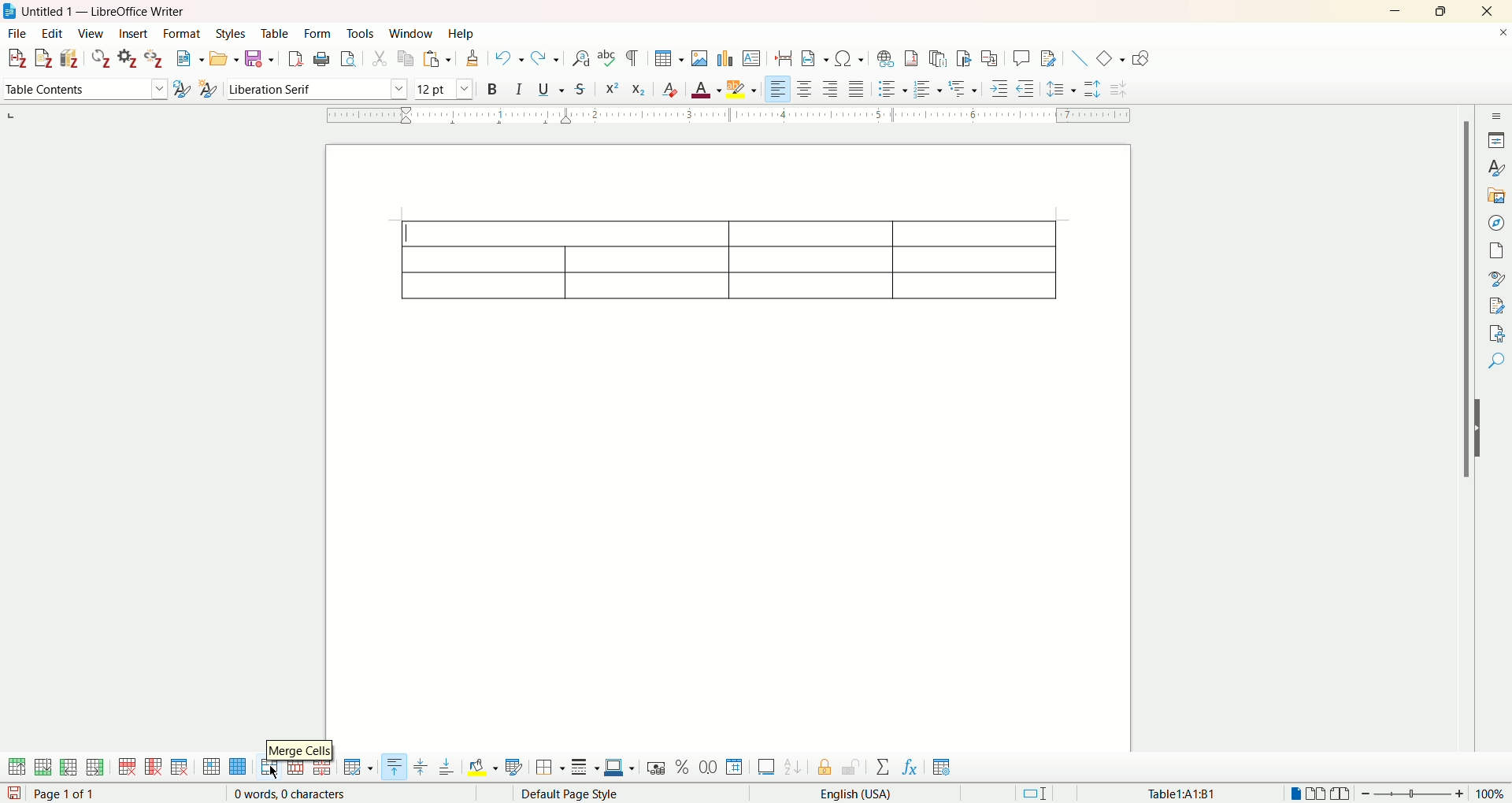 The image size is (1512, 803). What do you see at coordinates (581, 89) in the screenshot?
I see `strikethrough` at bounding box center [581, 89].